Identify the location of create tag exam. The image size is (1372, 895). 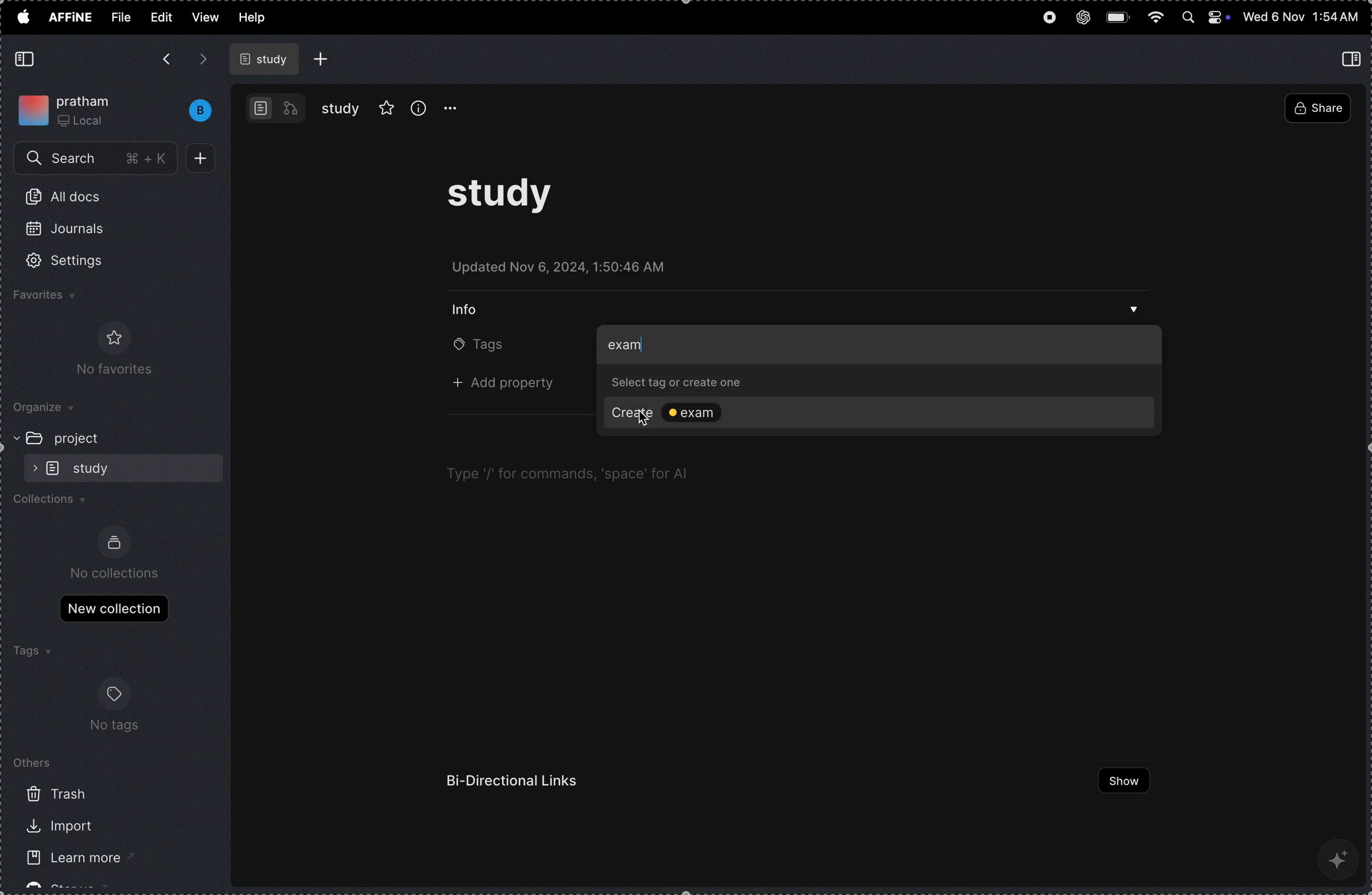
(671, 413).